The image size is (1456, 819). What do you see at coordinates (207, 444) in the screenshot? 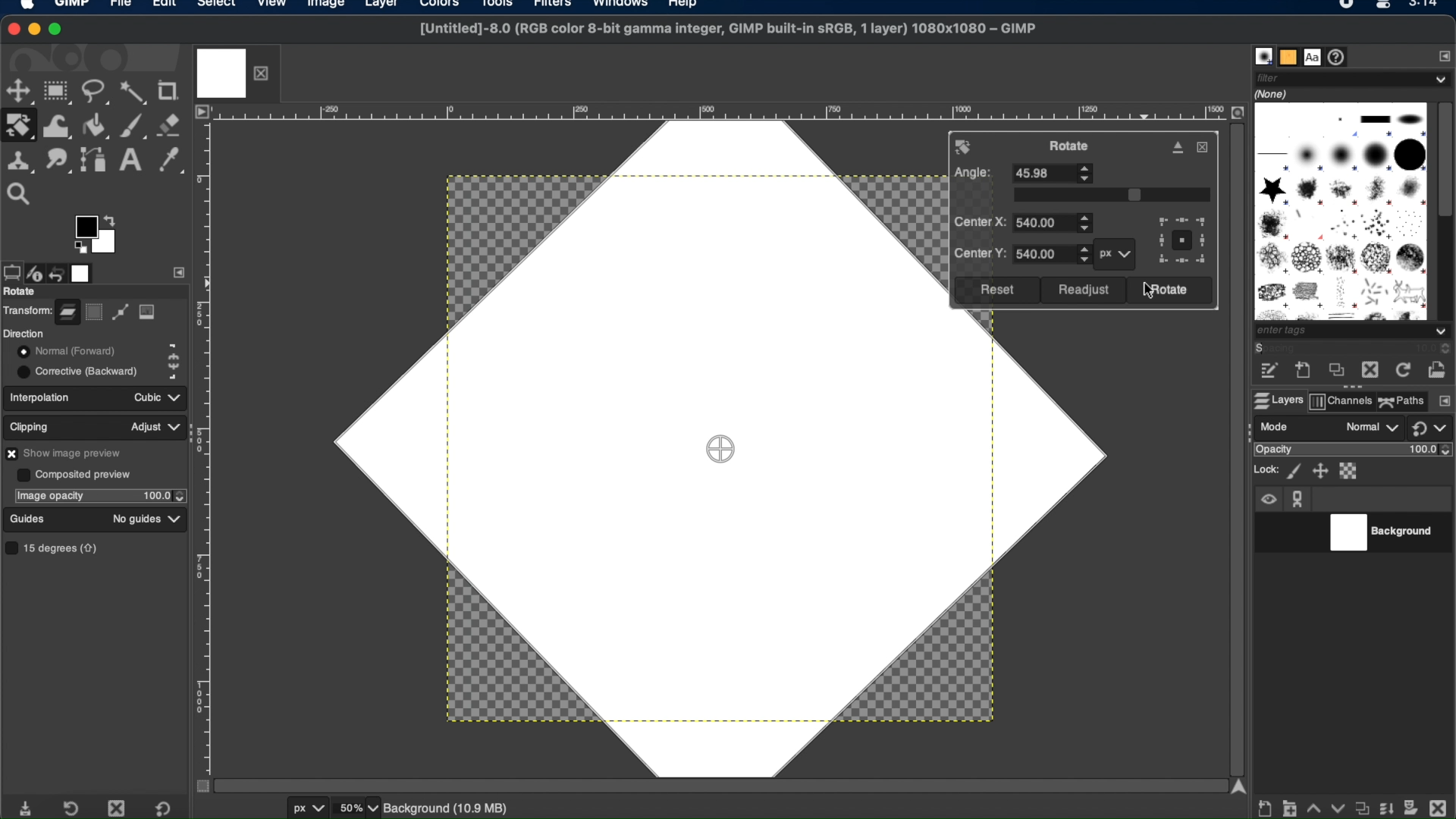
I see `margin` at bounding box center [207, 444].